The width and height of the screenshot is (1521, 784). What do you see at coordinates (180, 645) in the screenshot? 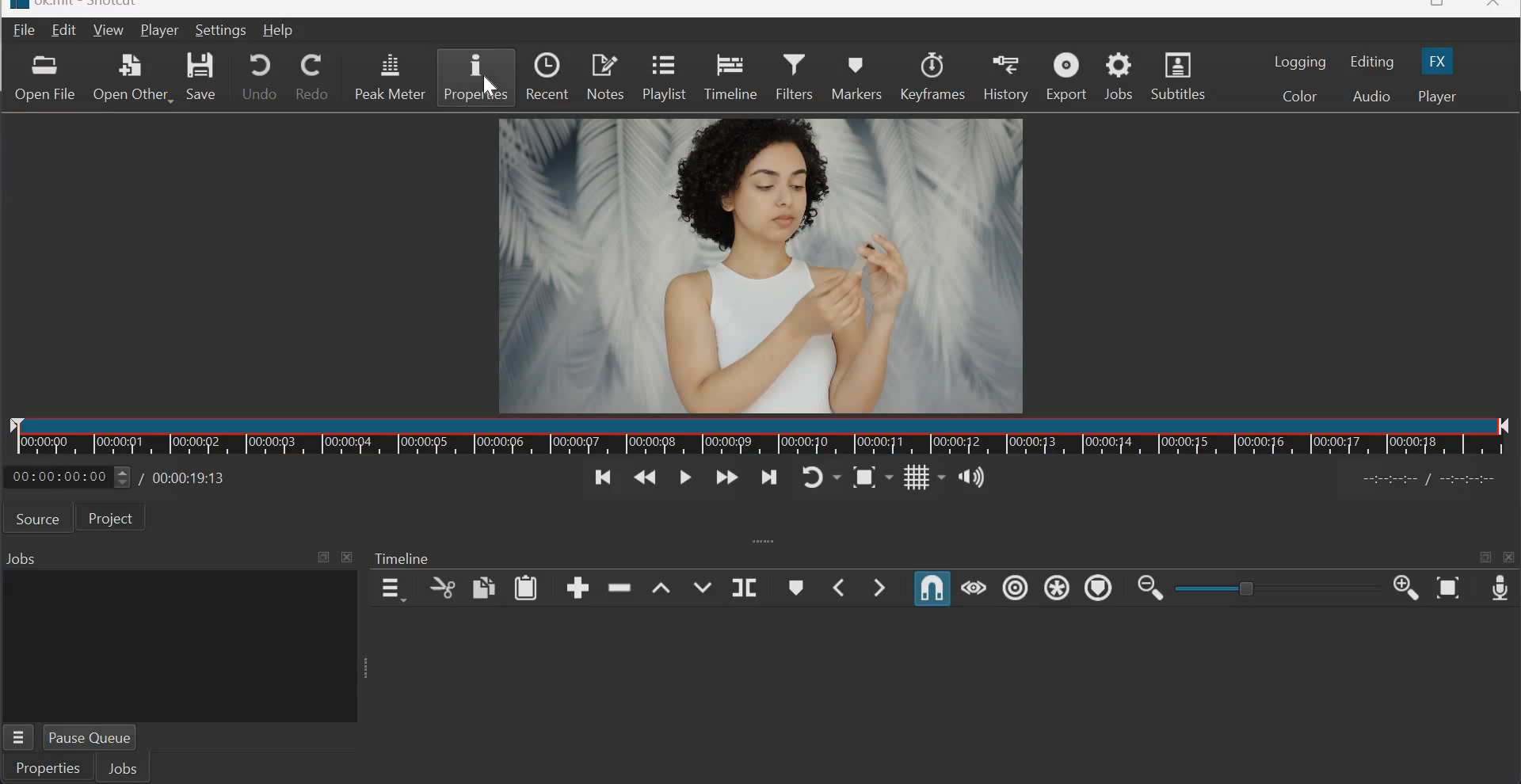
I see `jobs panel` at bounding box center [180, 645].